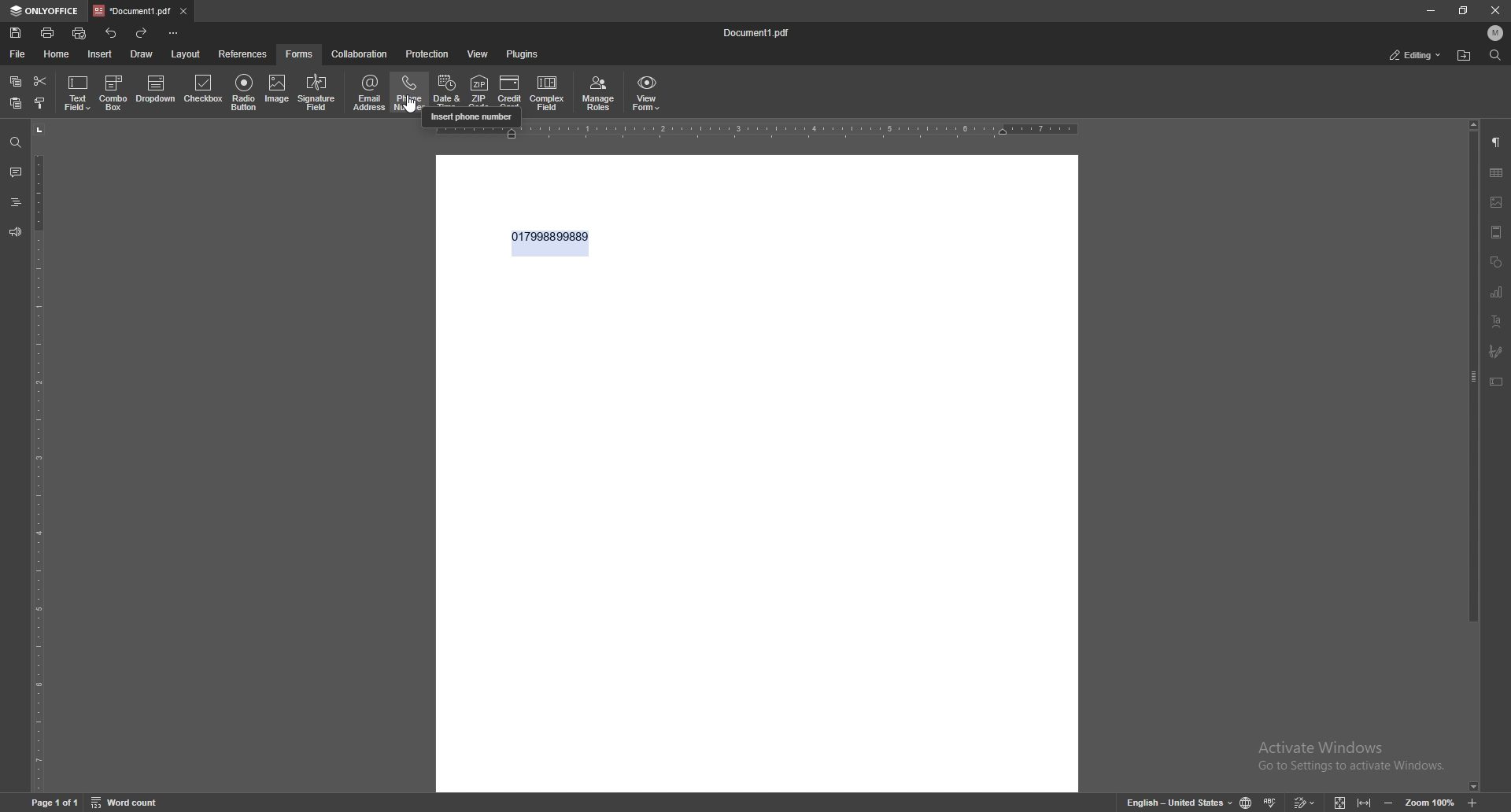 The height and width of the screenshot is (812, 1511). What do you see at coordinates (1497, 174) in the screenshot?
I see `table` at bounding box center [1497, 174].